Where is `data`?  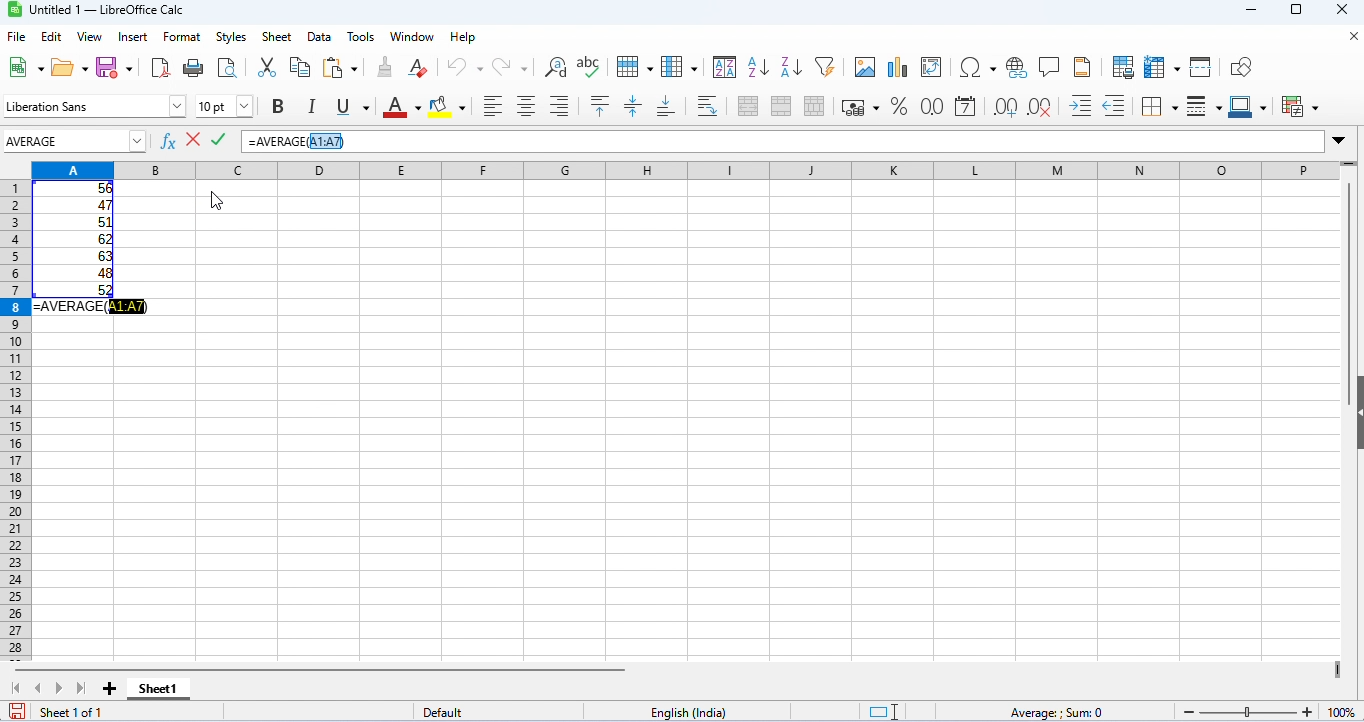
data is located at coordinates (321, 37).